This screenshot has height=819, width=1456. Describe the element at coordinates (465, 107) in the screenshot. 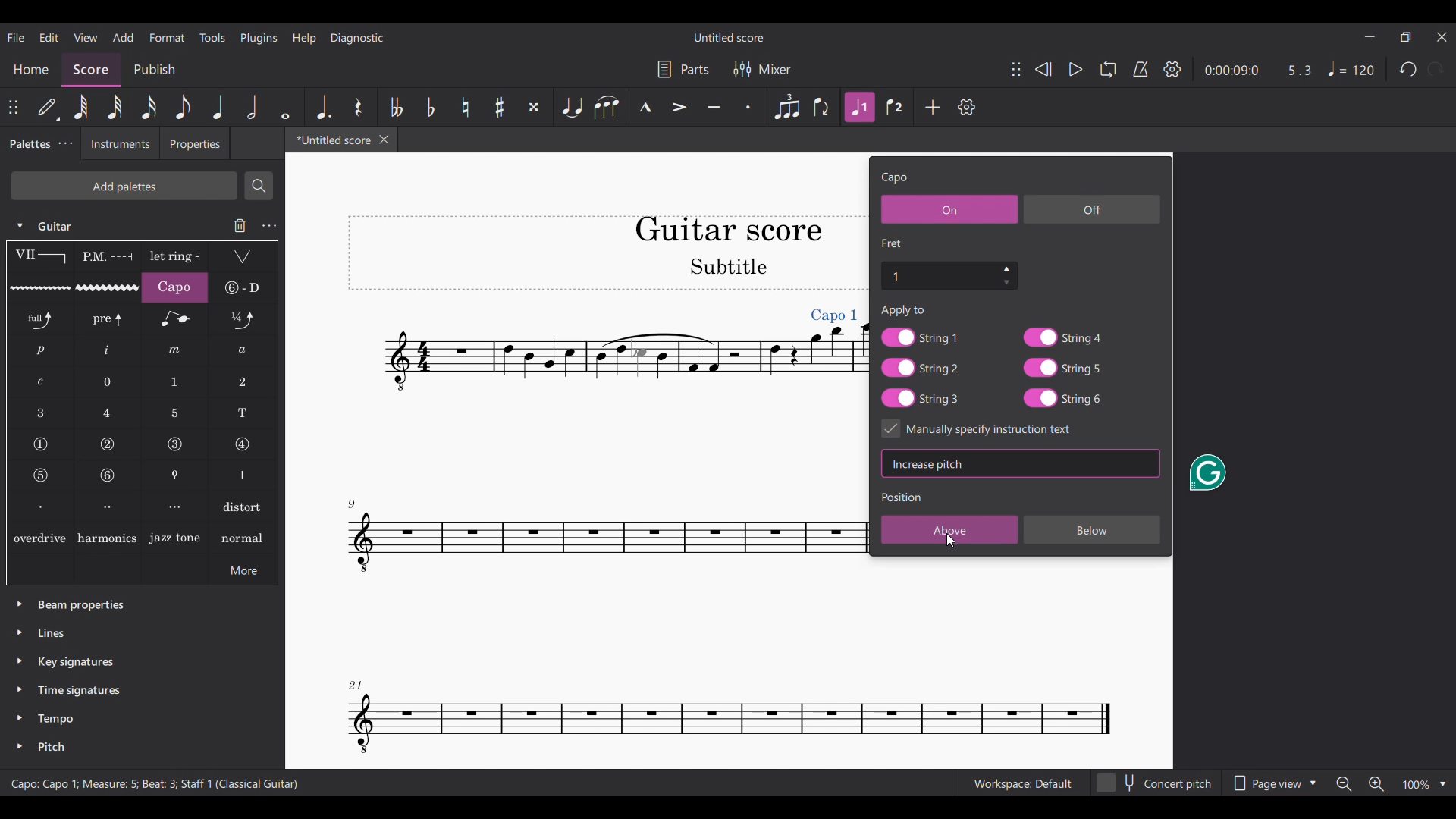

I see `Toggle natural` at that location.